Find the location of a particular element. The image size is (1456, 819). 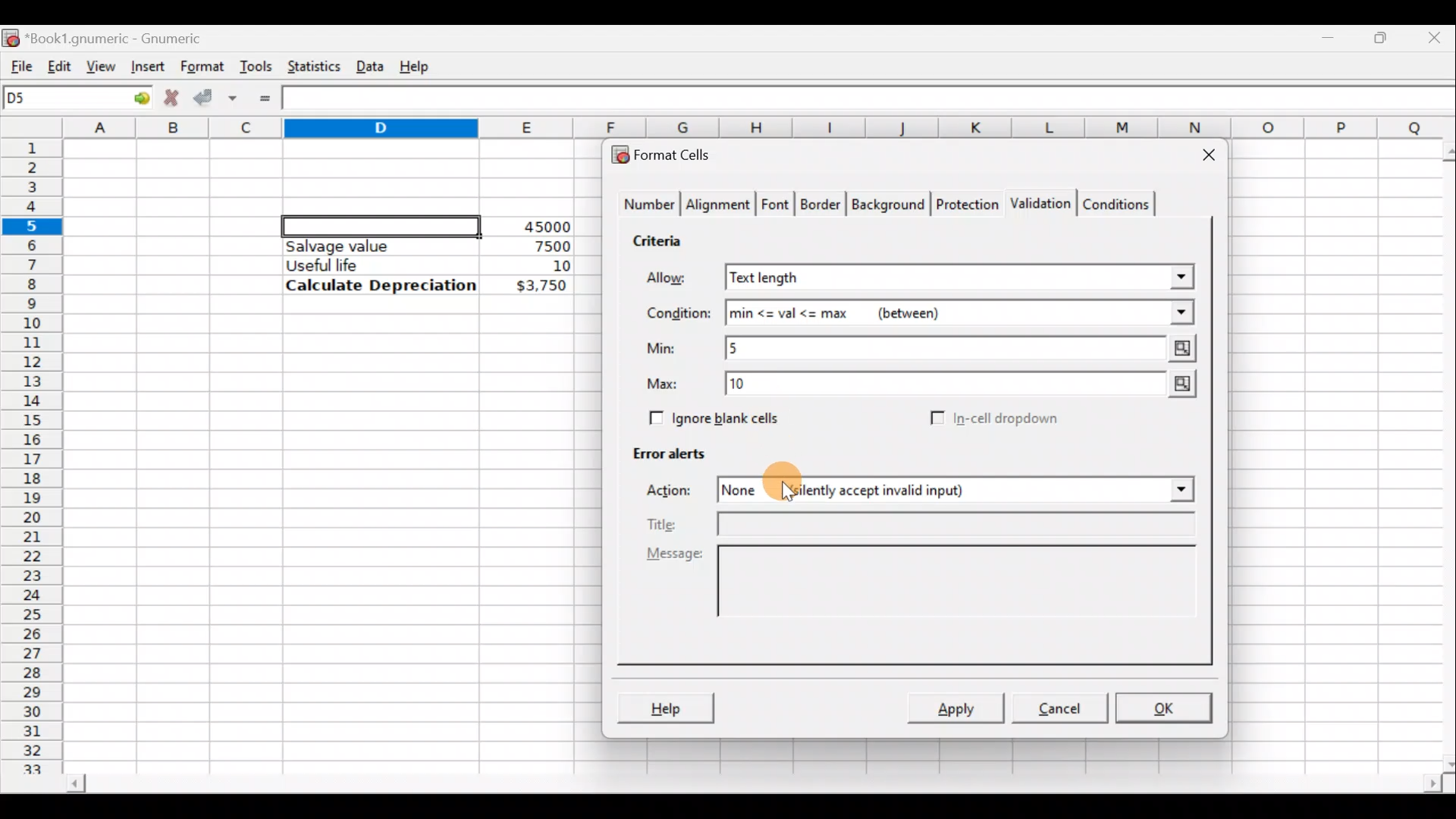

Gnumeric logo is located at coordinates (11, 36).